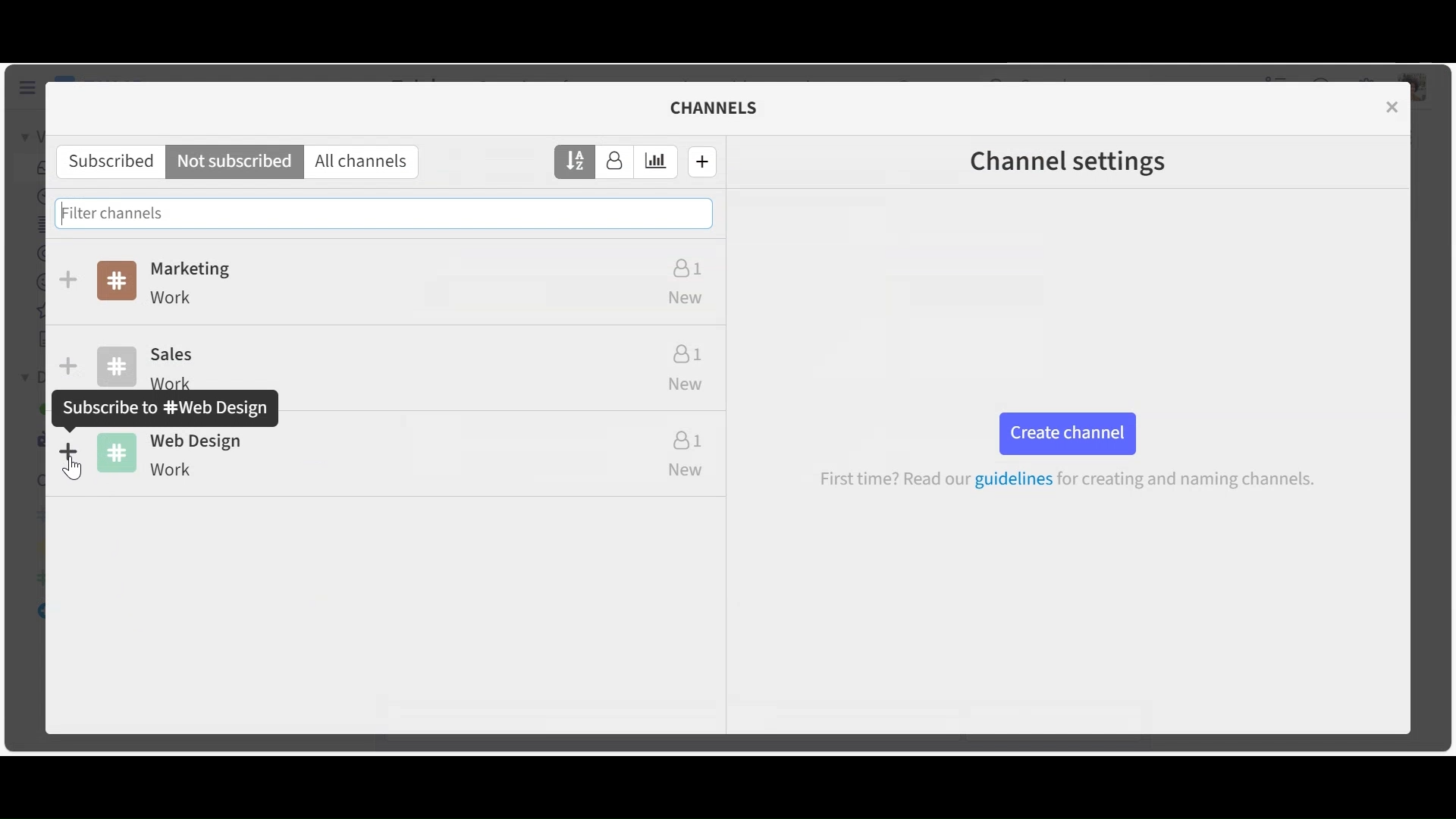 This screenshot has width=1456, height=819. I want to click on Sort by estimated weekly traffic, so click(654, 162).